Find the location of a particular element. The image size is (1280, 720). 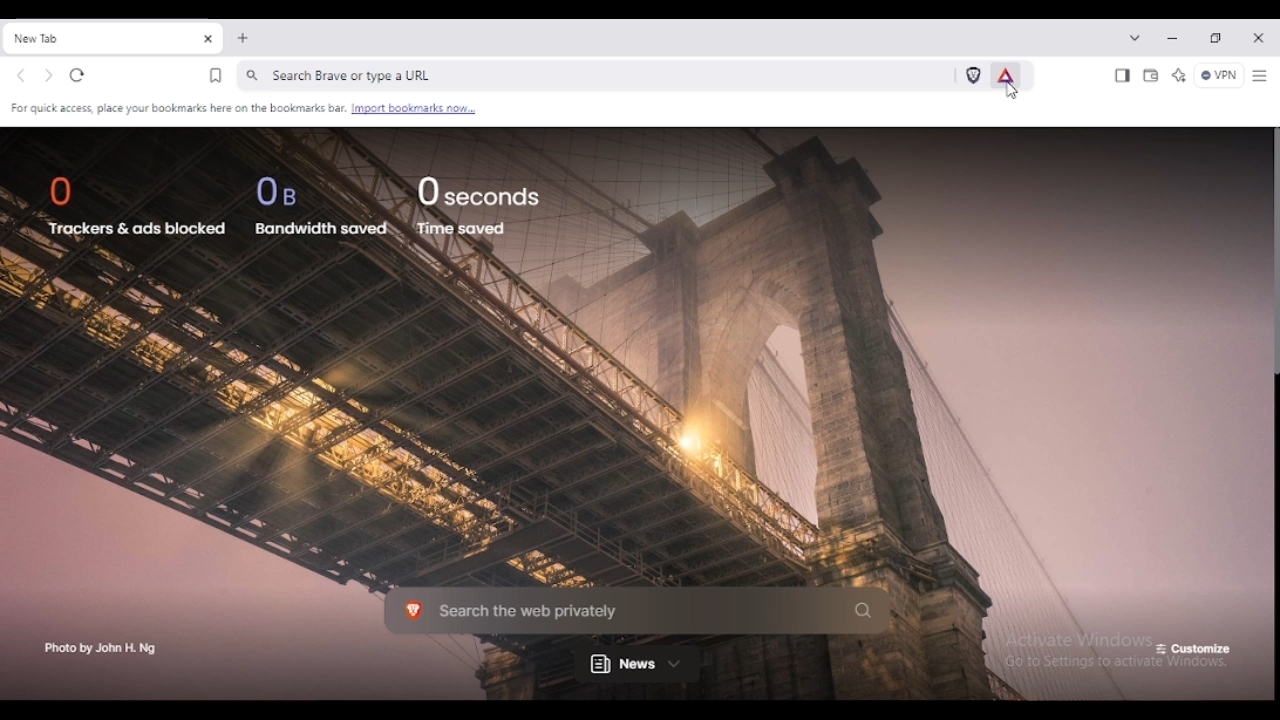

cursor is located at coordinates (1012, 91).